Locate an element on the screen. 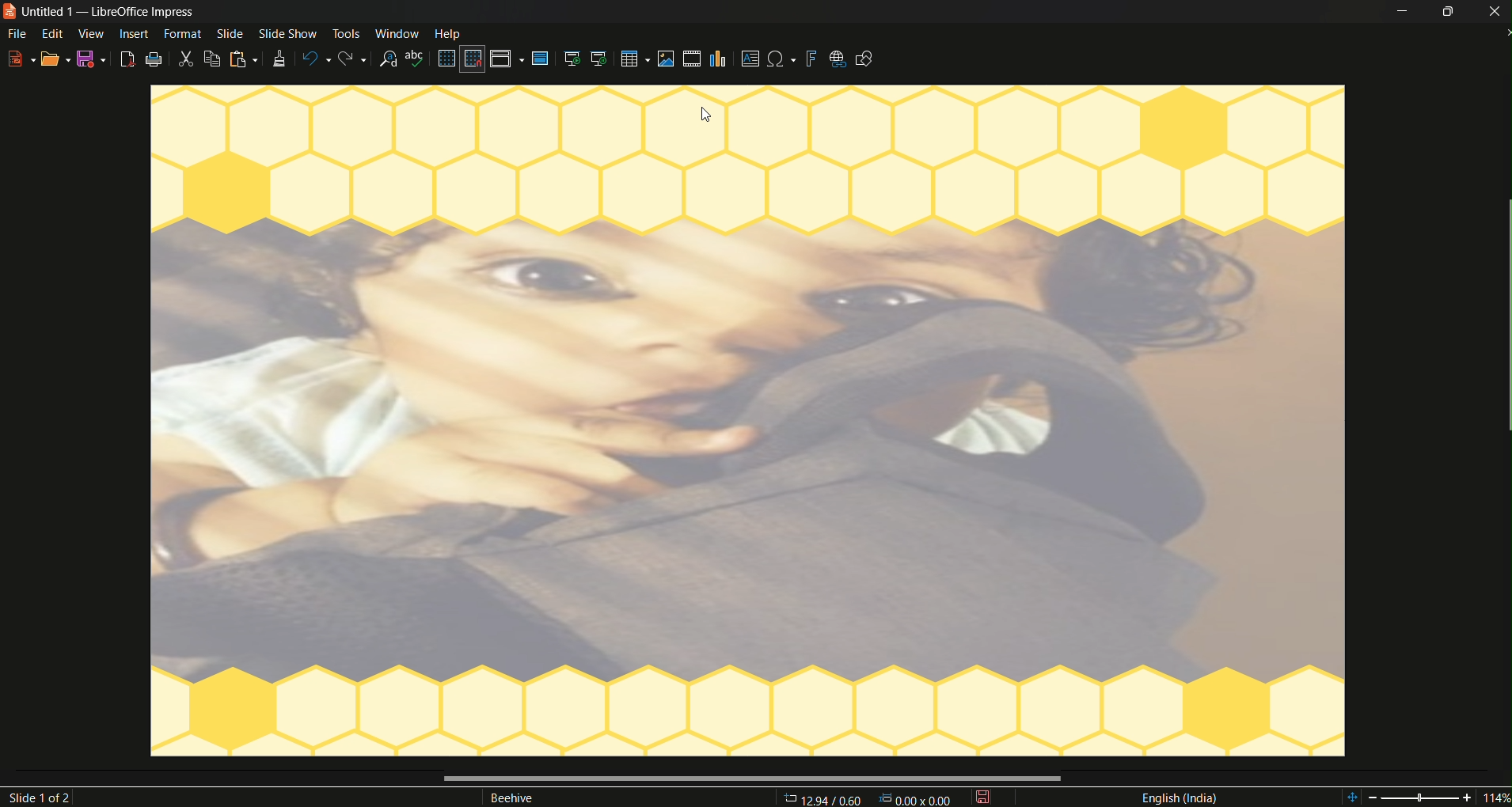 The width and height of the screenshot is (1512, 807). edit is located at coordinates (54, 34).